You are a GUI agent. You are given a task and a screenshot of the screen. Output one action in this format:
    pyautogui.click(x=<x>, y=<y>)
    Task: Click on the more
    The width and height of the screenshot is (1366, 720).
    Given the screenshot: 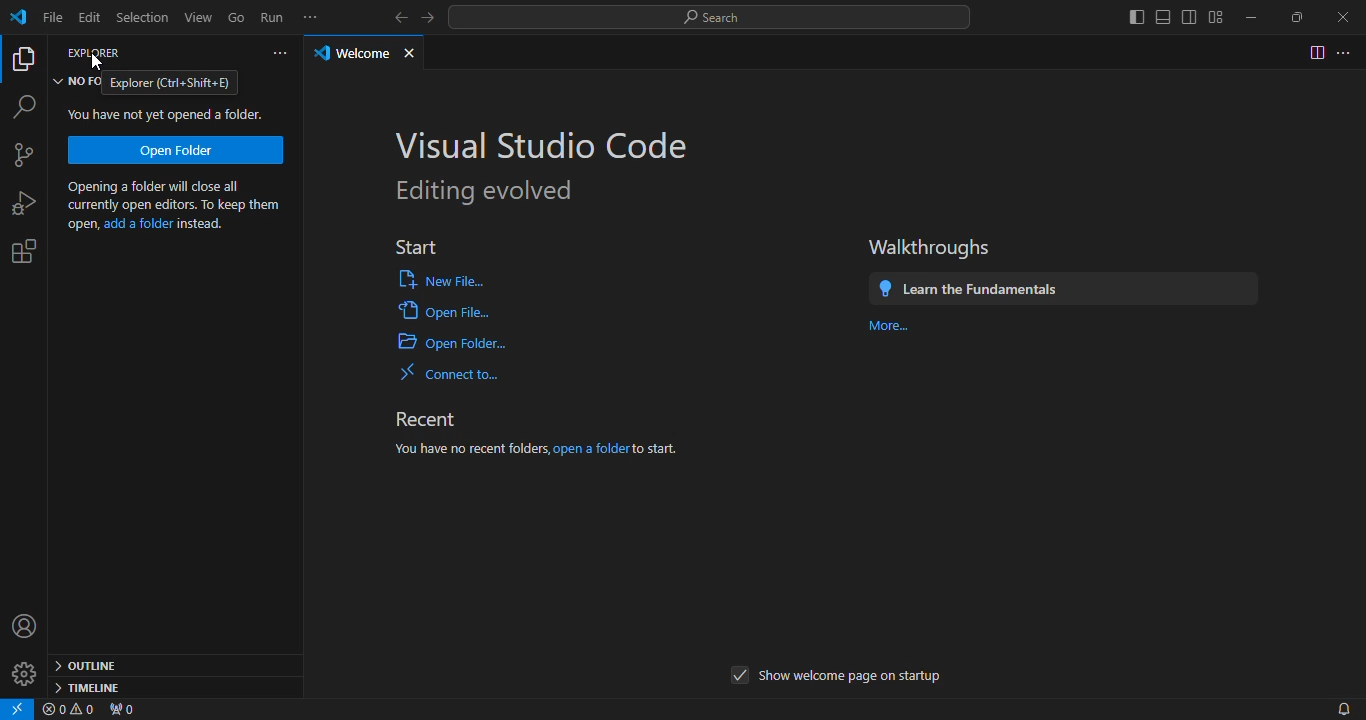 What is the action you would take?
    pyautogui.click(x=314, y=17)
    